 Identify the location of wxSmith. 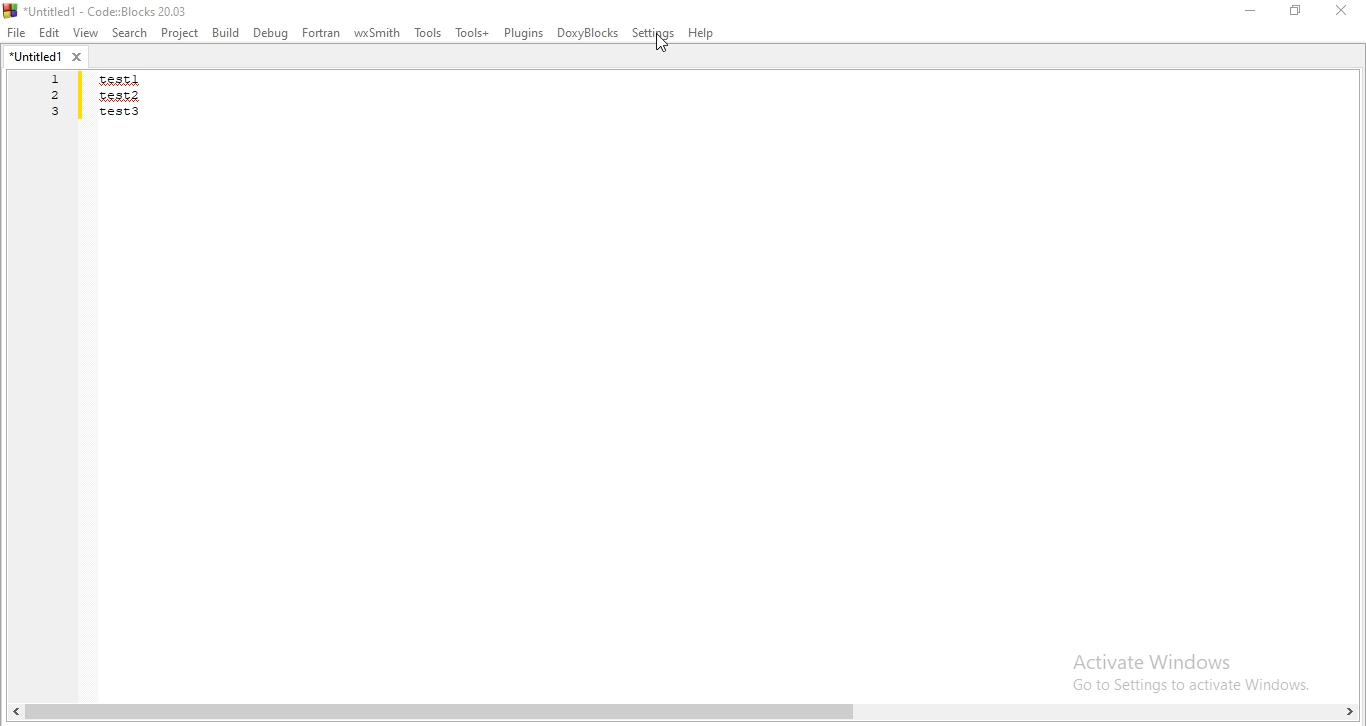
(377, 34).